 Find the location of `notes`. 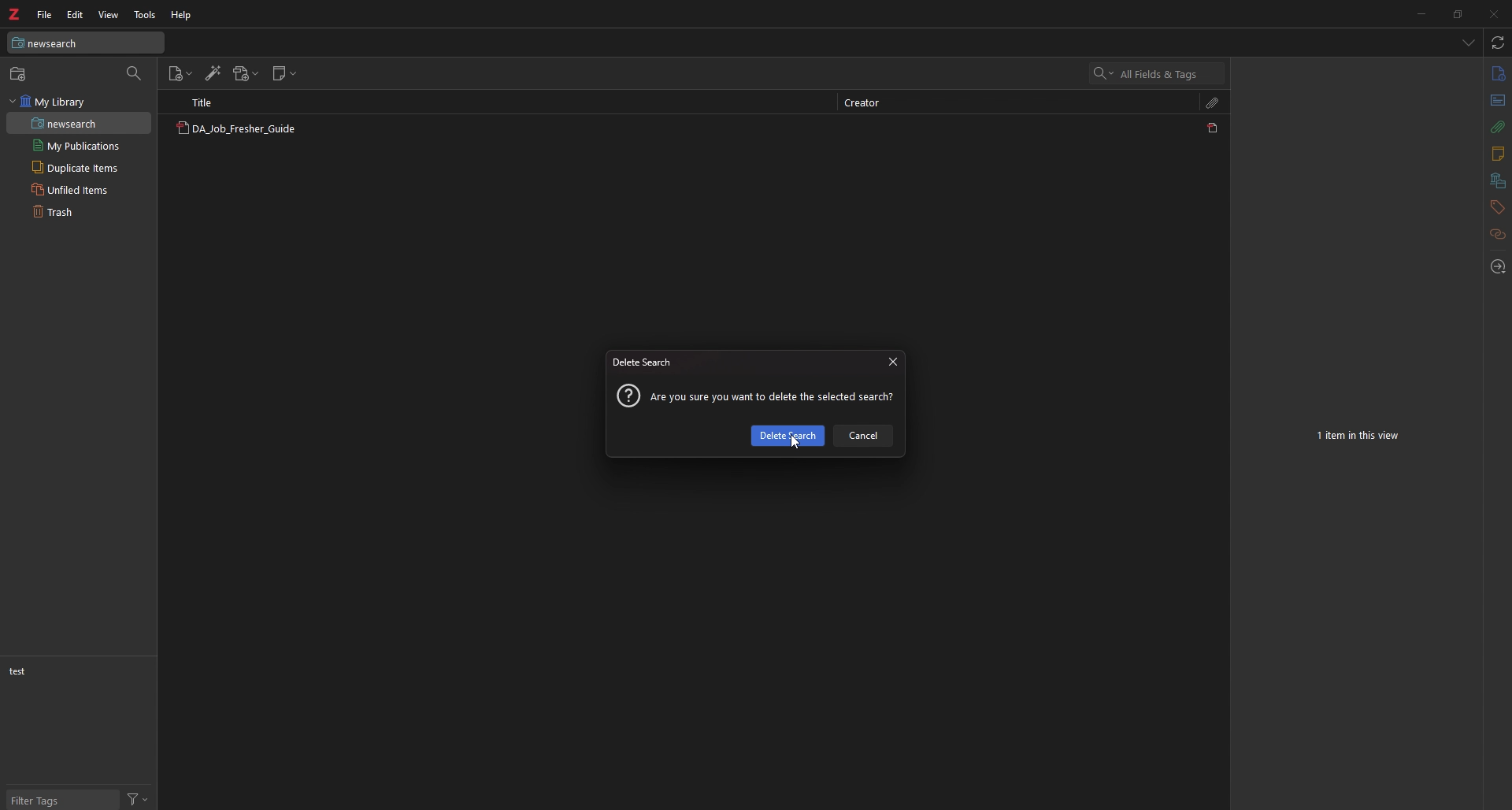

notes is located at coordinates (1496, 154).